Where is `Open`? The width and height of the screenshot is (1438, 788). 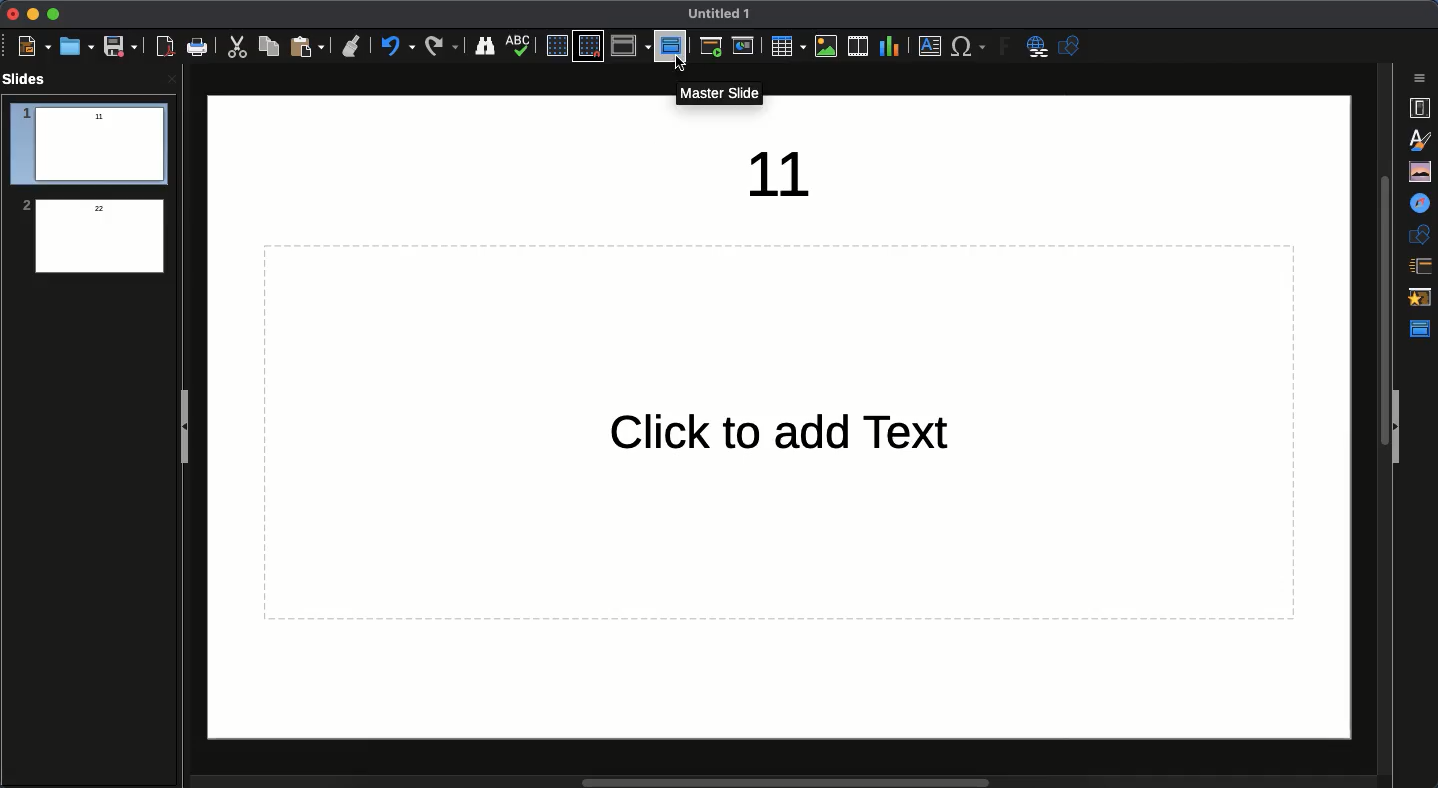
Open is located at coordinates (75, 46).